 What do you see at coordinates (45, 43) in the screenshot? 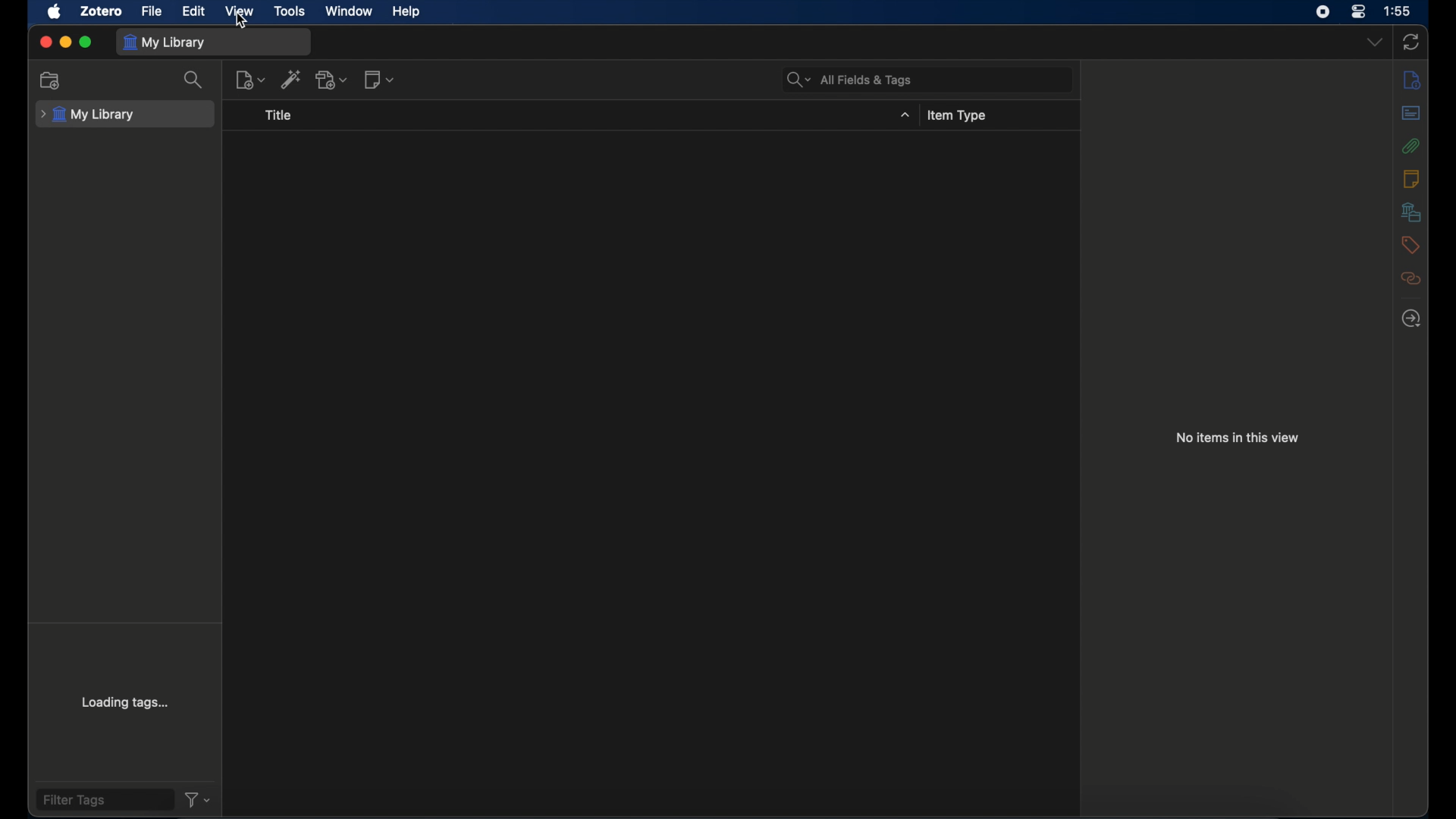
I see `close` at bounding box center [45, 43].